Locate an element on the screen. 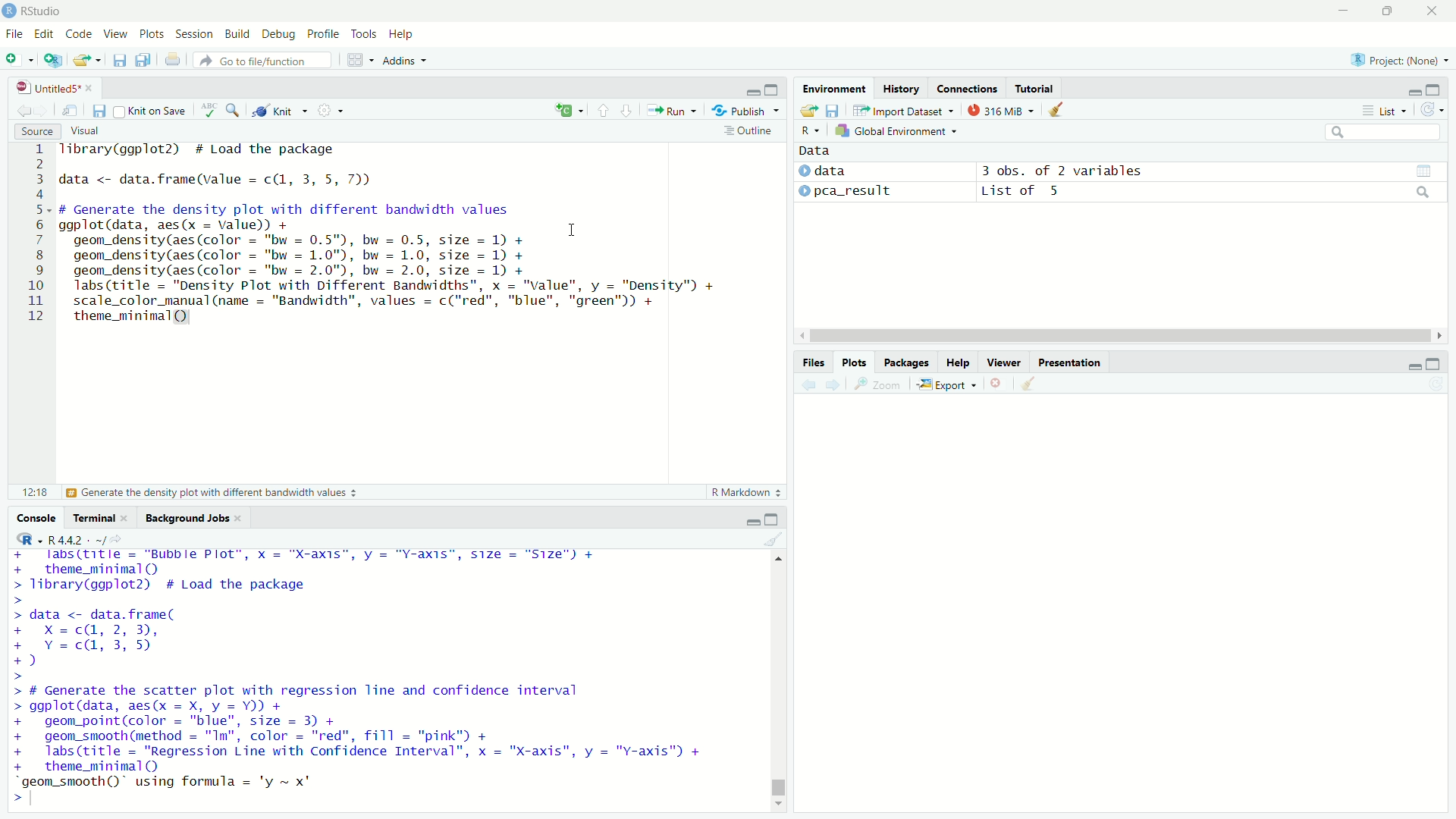 This screenshot has height=819, width=1456. Addins is located at coordinates (405, 61).